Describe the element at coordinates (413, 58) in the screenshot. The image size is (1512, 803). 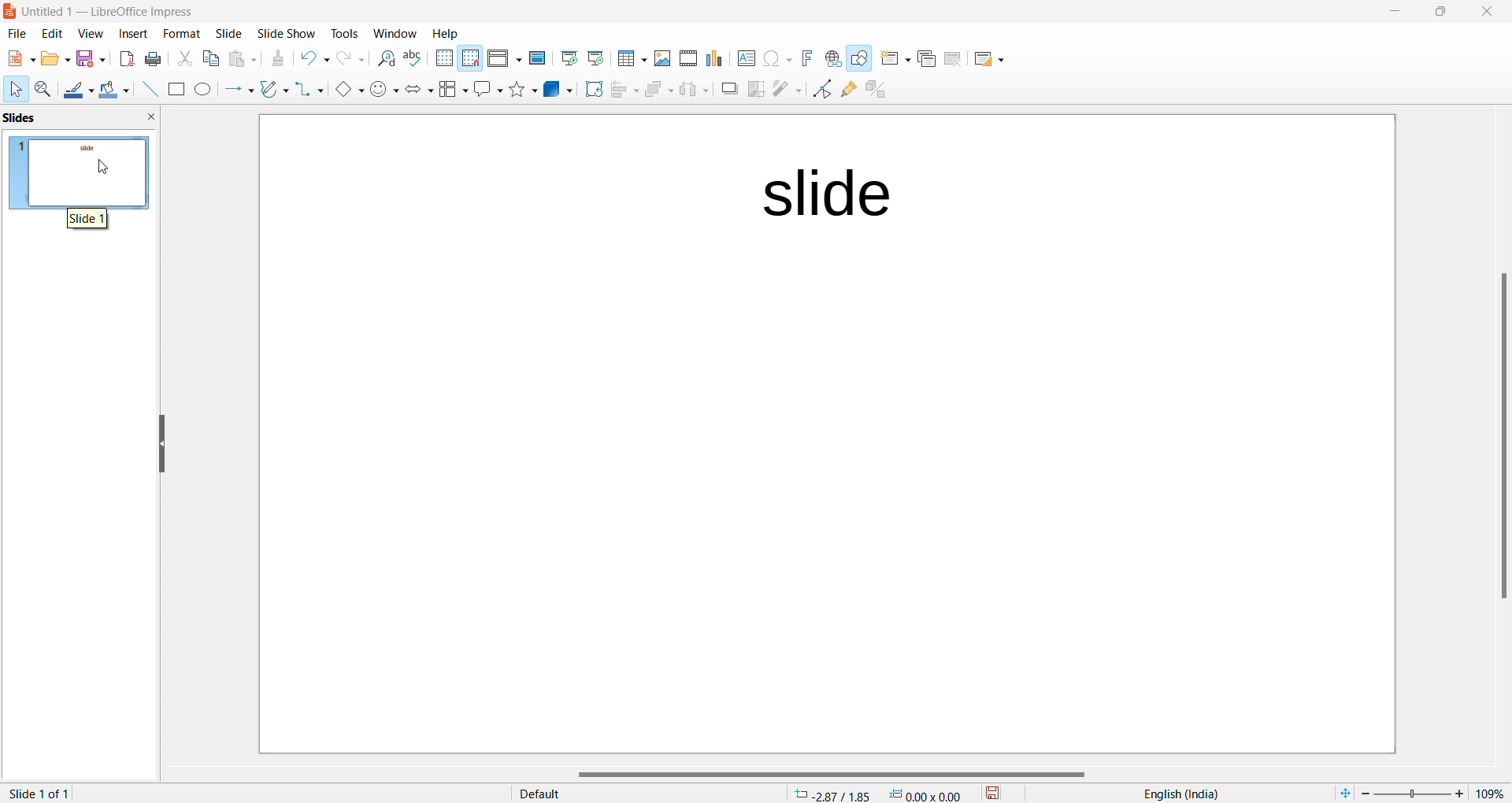
I see `Spellings` at that location.